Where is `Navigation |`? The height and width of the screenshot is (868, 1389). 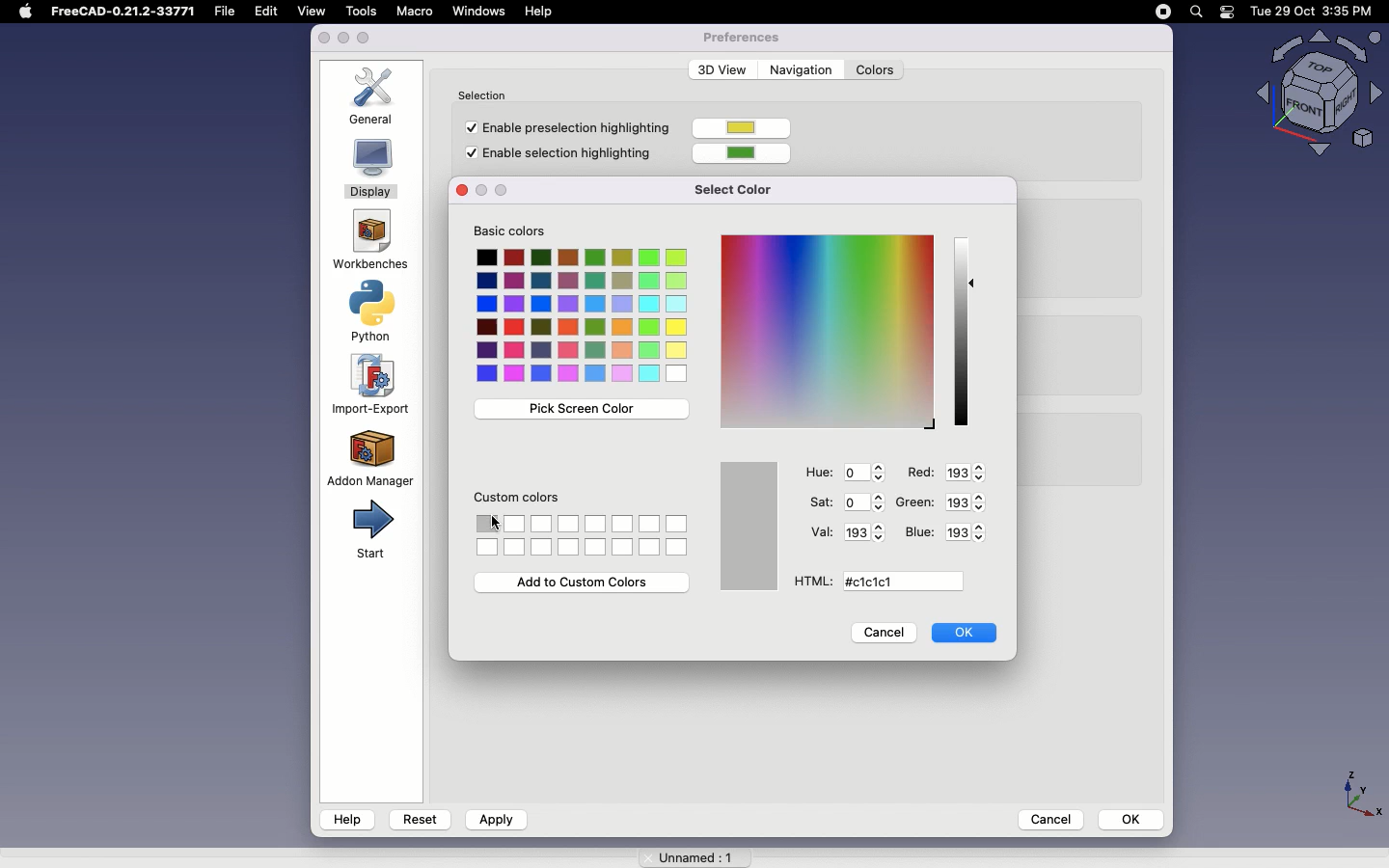
Navigation | is located at coordinates (799, 68).